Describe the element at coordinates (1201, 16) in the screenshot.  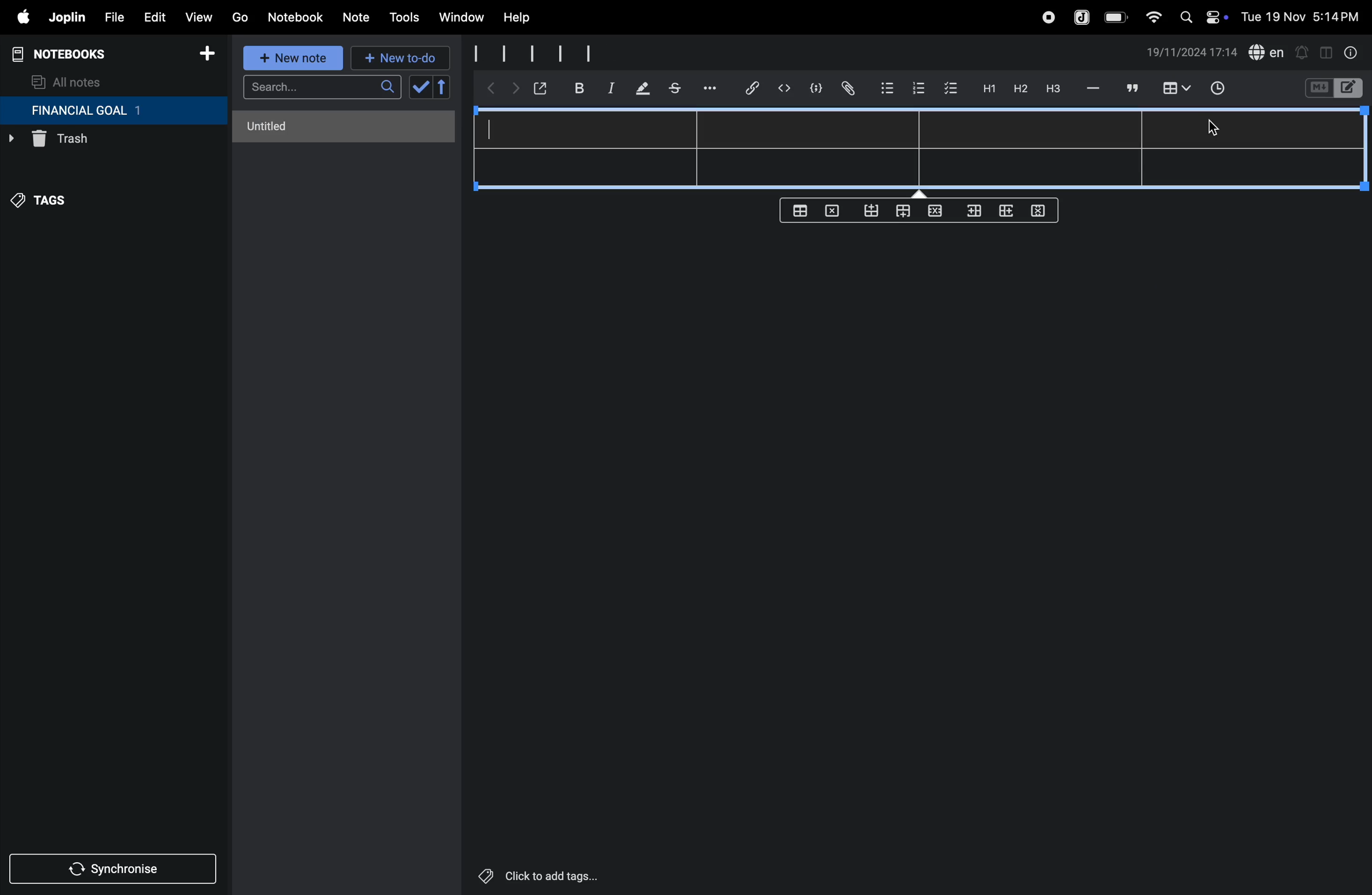
I see `apple widgets` at that location.